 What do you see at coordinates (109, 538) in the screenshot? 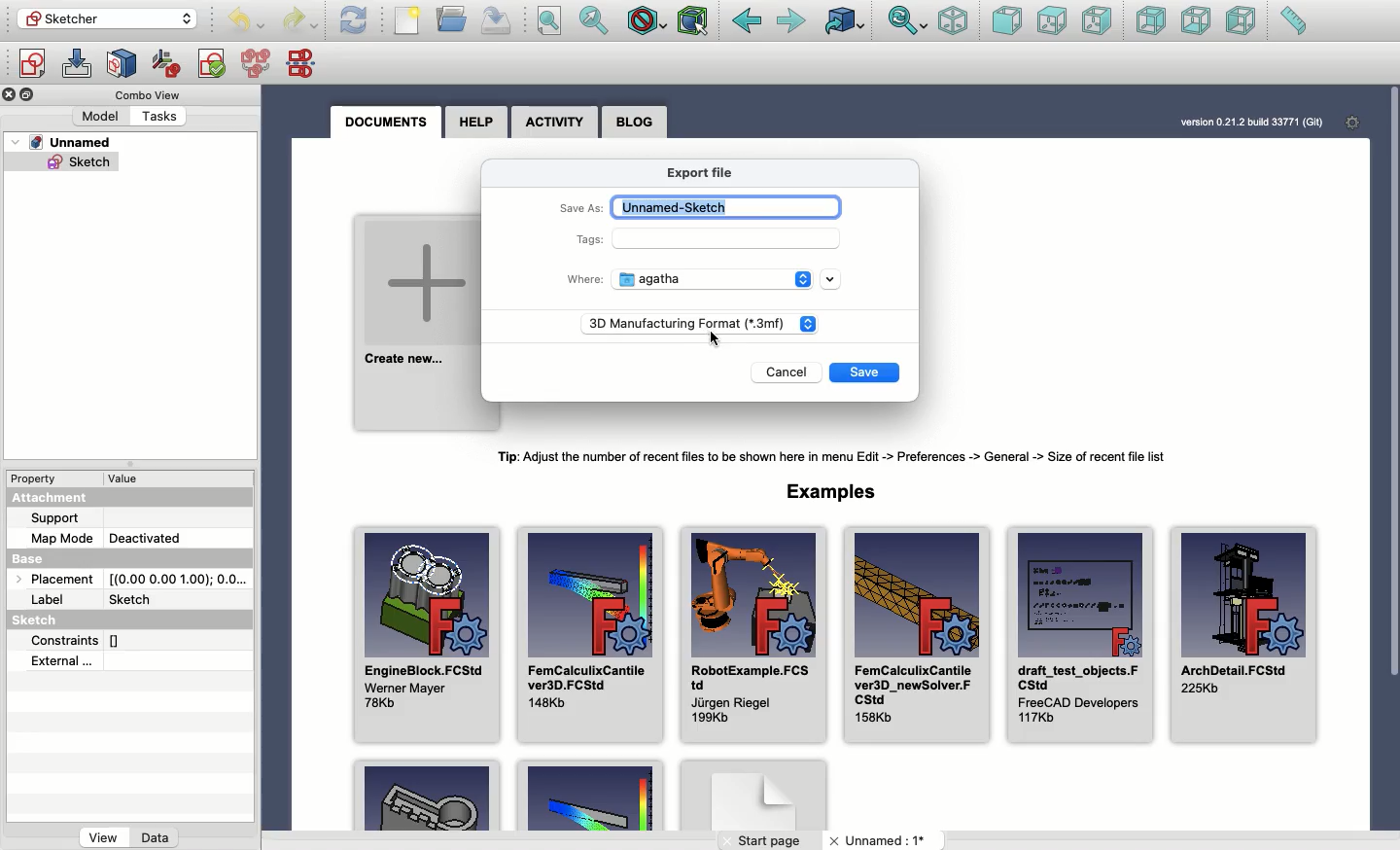
I see `Map mode deactivated` at bounding box center [109, 538].